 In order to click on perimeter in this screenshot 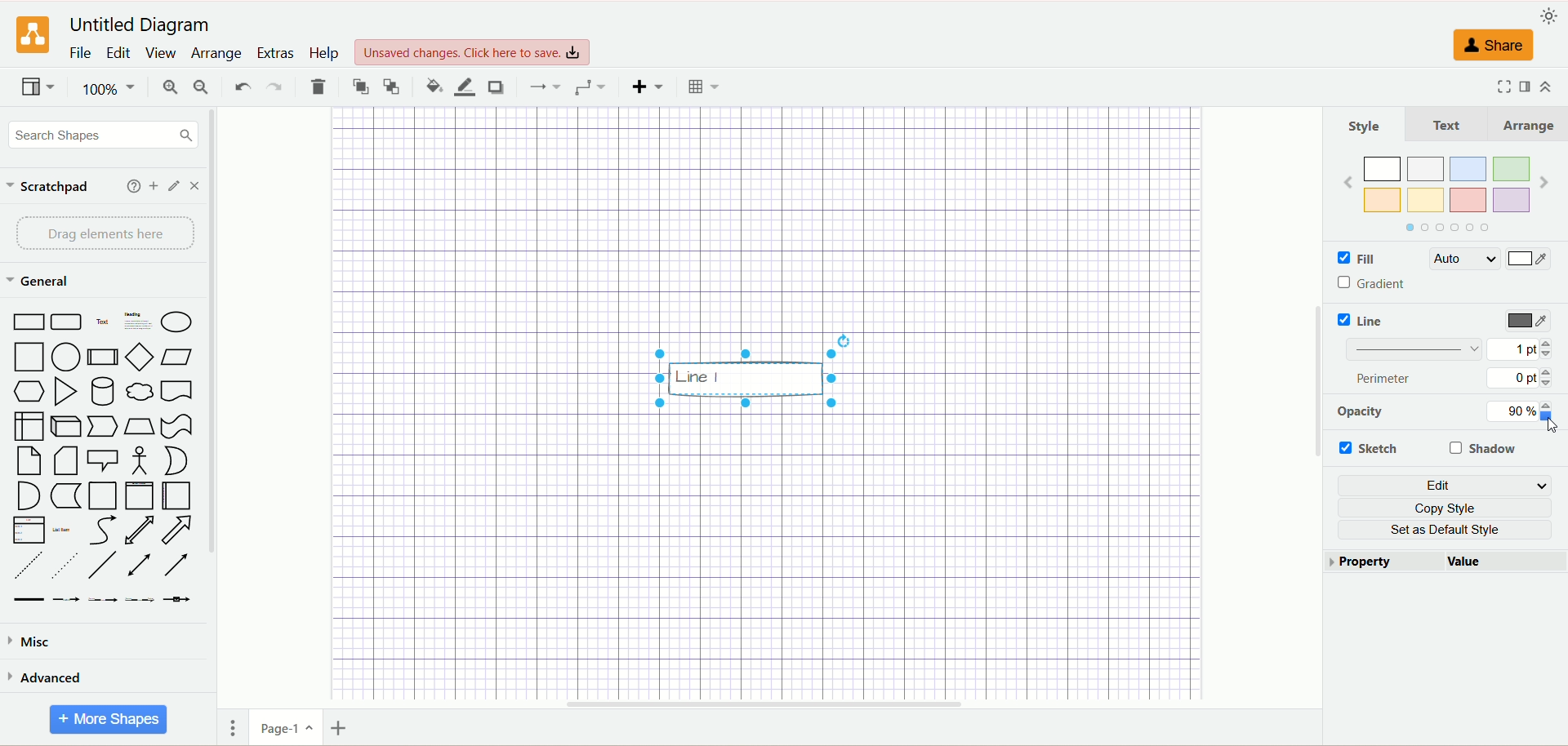, I will do `click(1389, 378)`.